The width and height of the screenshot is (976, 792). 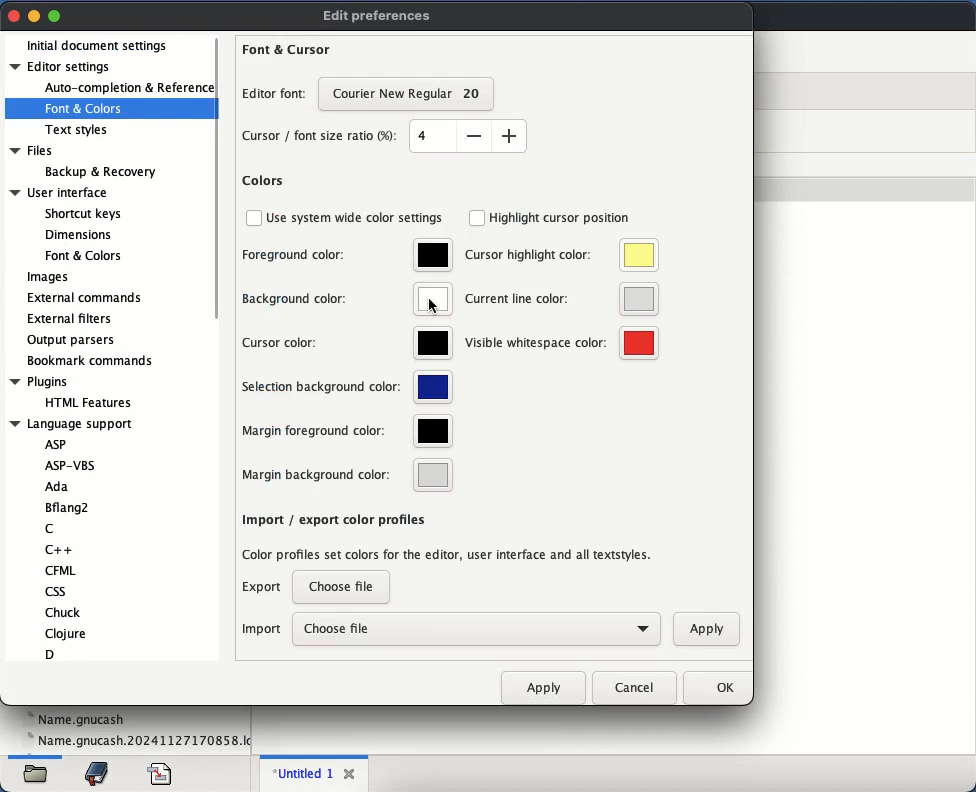 What do you see at coordinates (348, 299) in the screenshot?
I see `background color` at bounding box center [348, 299].